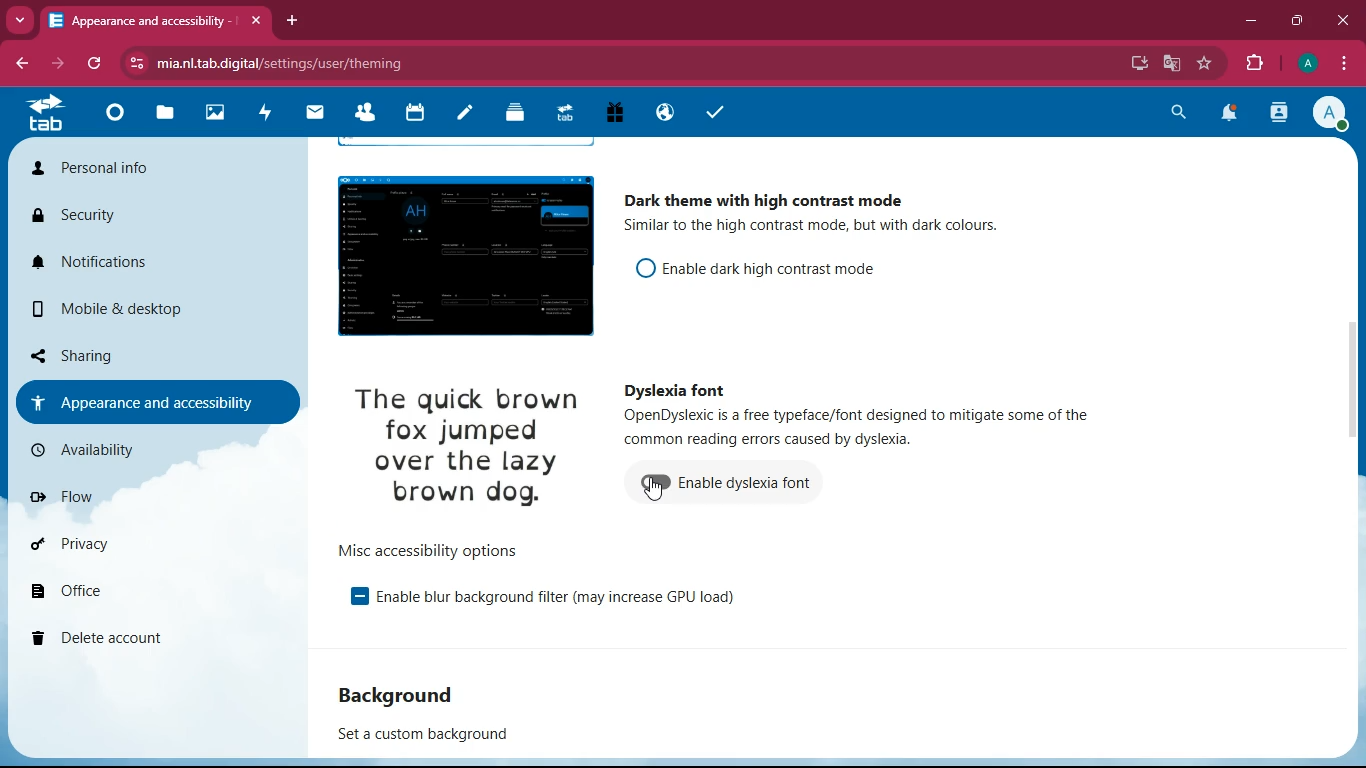 Image resolution: width=1366 pixels, height=768 pixels. I want to click on images, so click(220, 113).